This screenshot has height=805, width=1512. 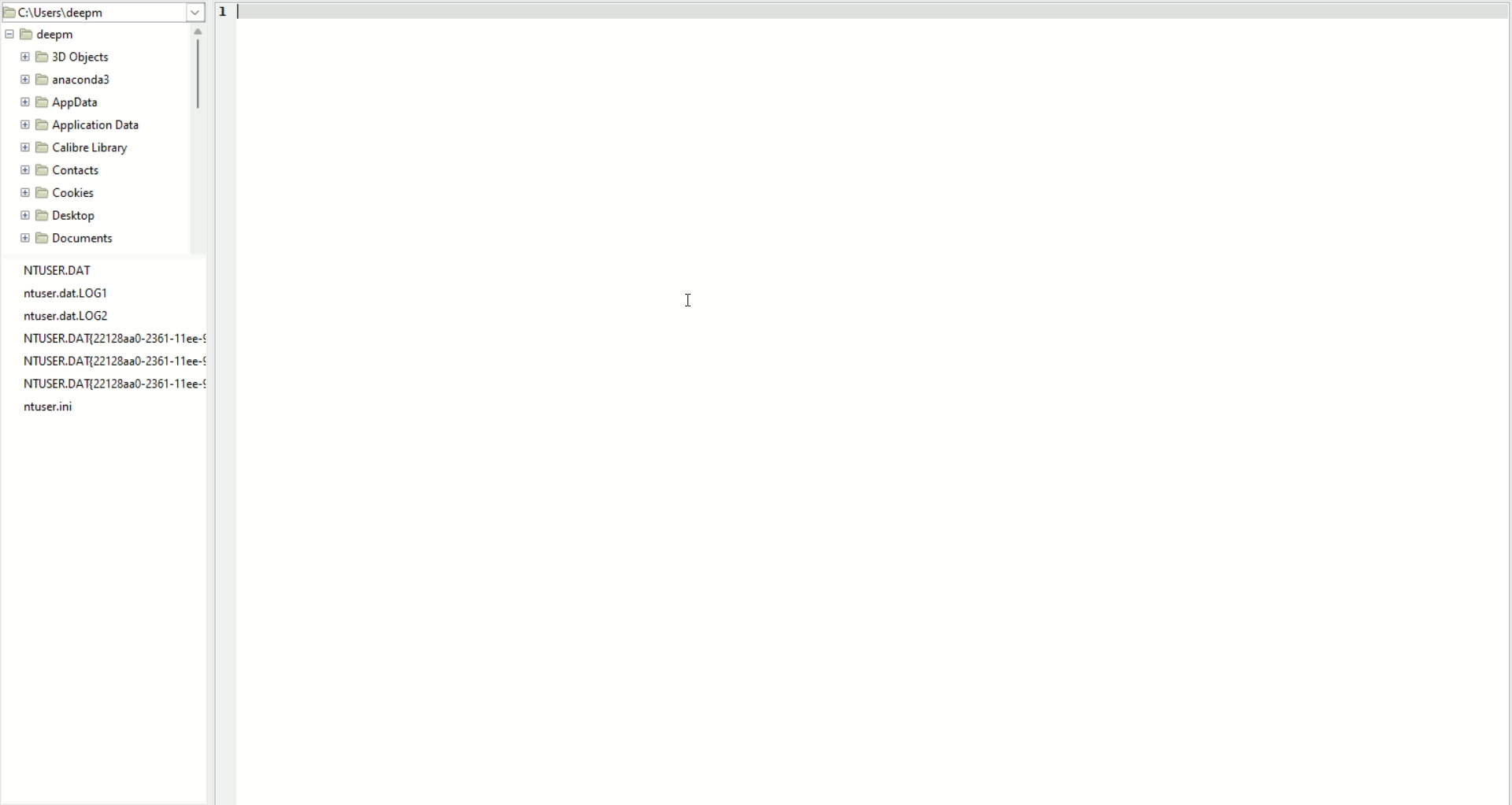 I want to click on vertical scroll bar, so click(x=200, y=138).